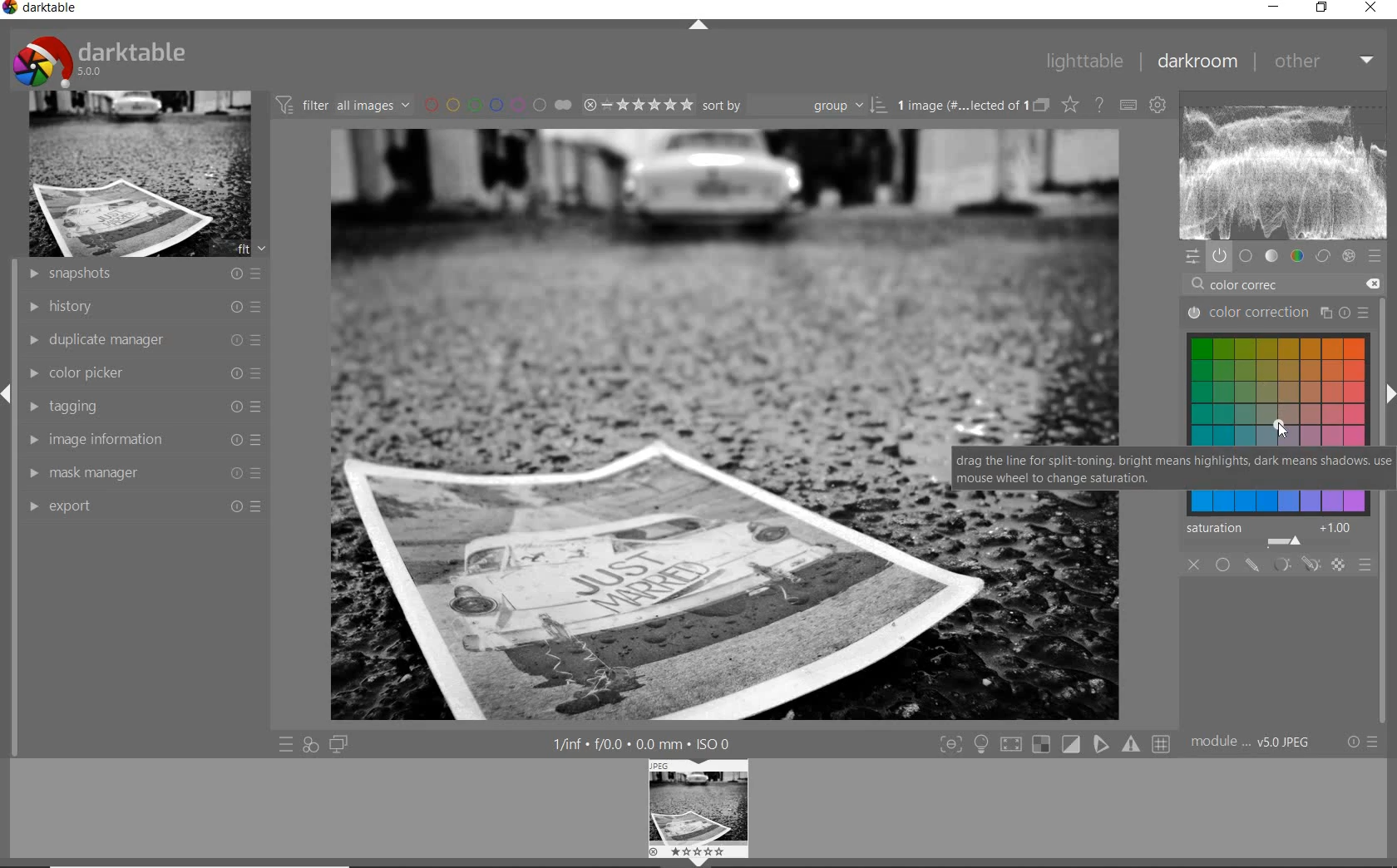 The height and width of the screenshot is (868, 1397). I want to click on selected image range rating, so click(635, 105).